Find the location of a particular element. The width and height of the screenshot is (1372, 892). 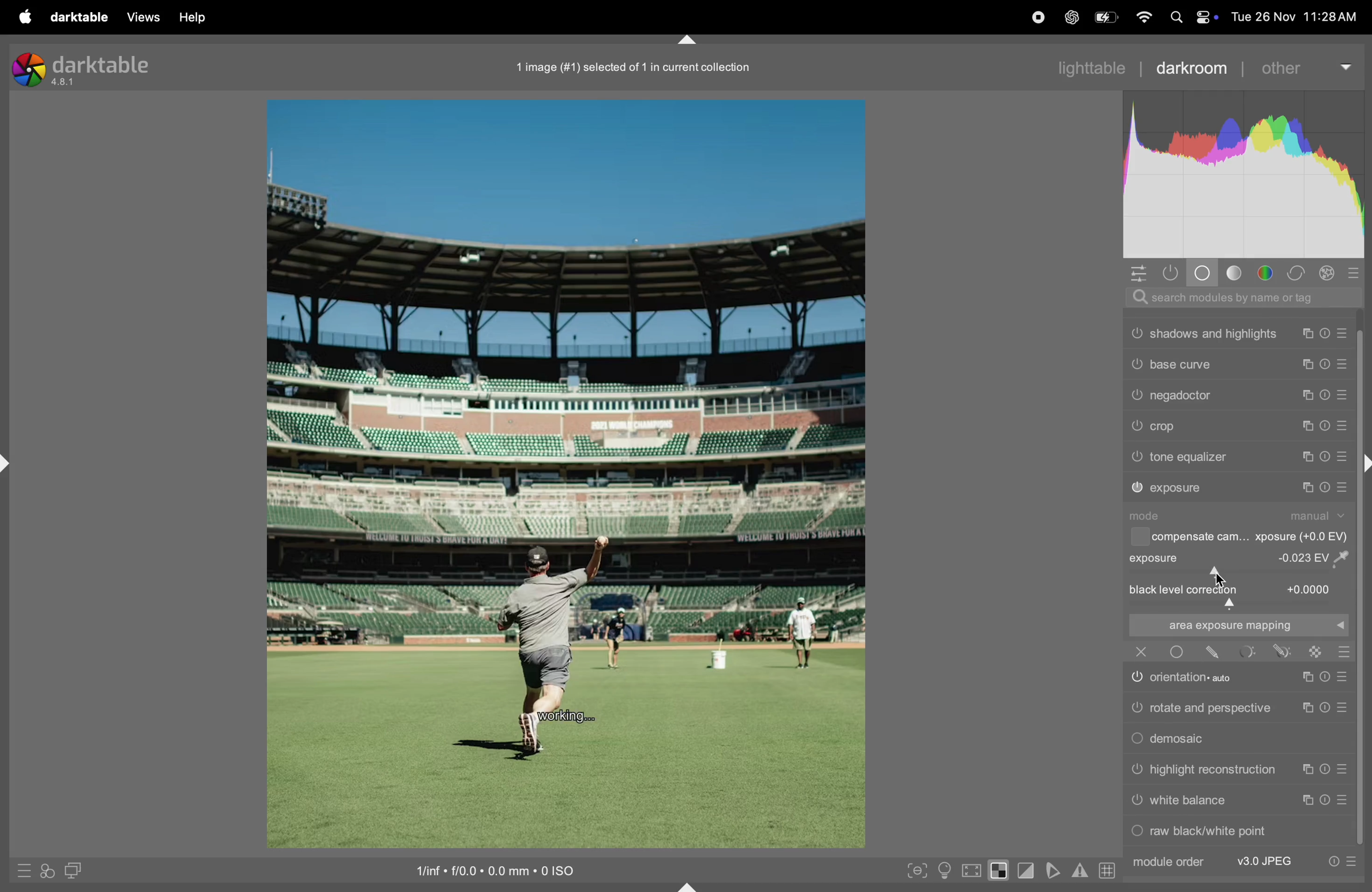

Switch on or off is located at coordinates (1136, 363).